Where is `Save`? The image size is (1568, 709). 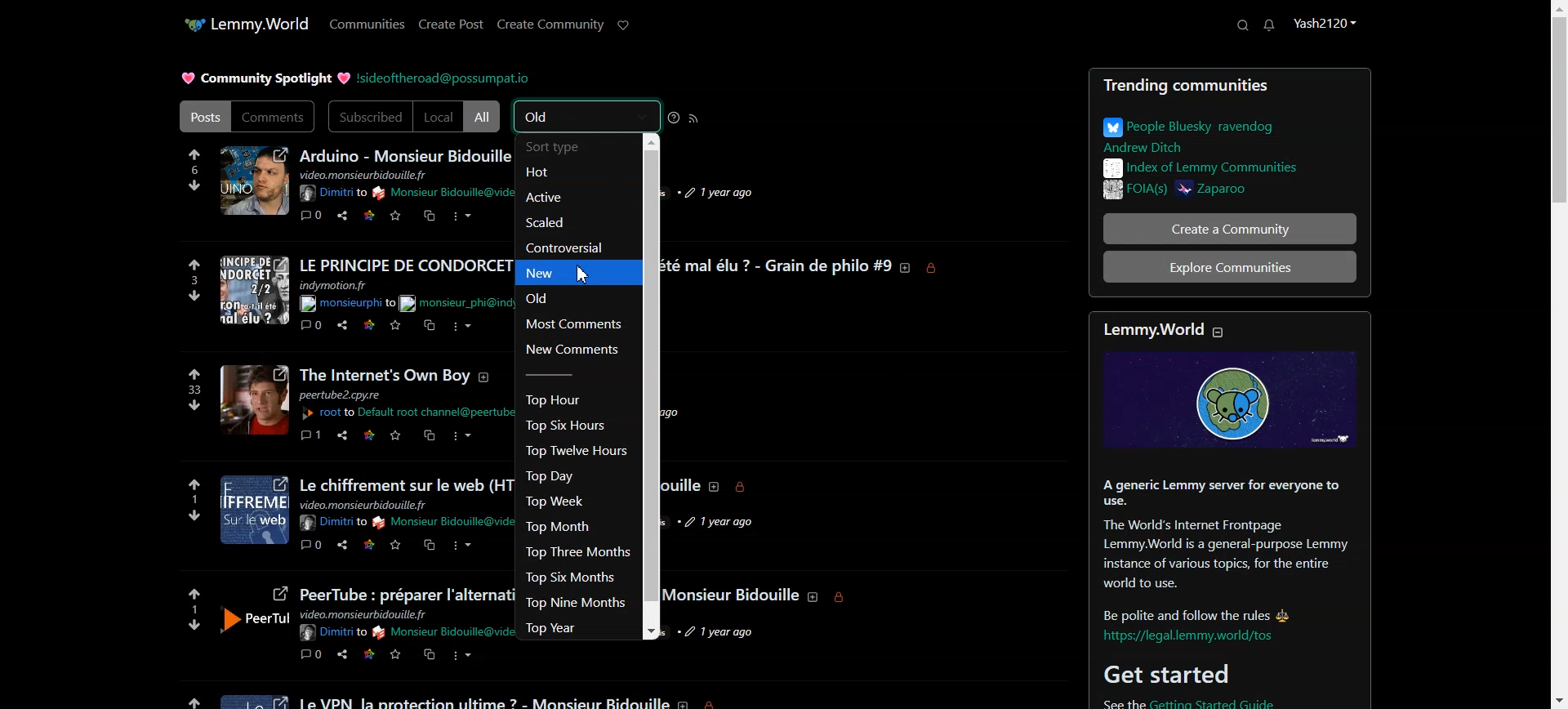
Save is located at coordinates (396, 216).